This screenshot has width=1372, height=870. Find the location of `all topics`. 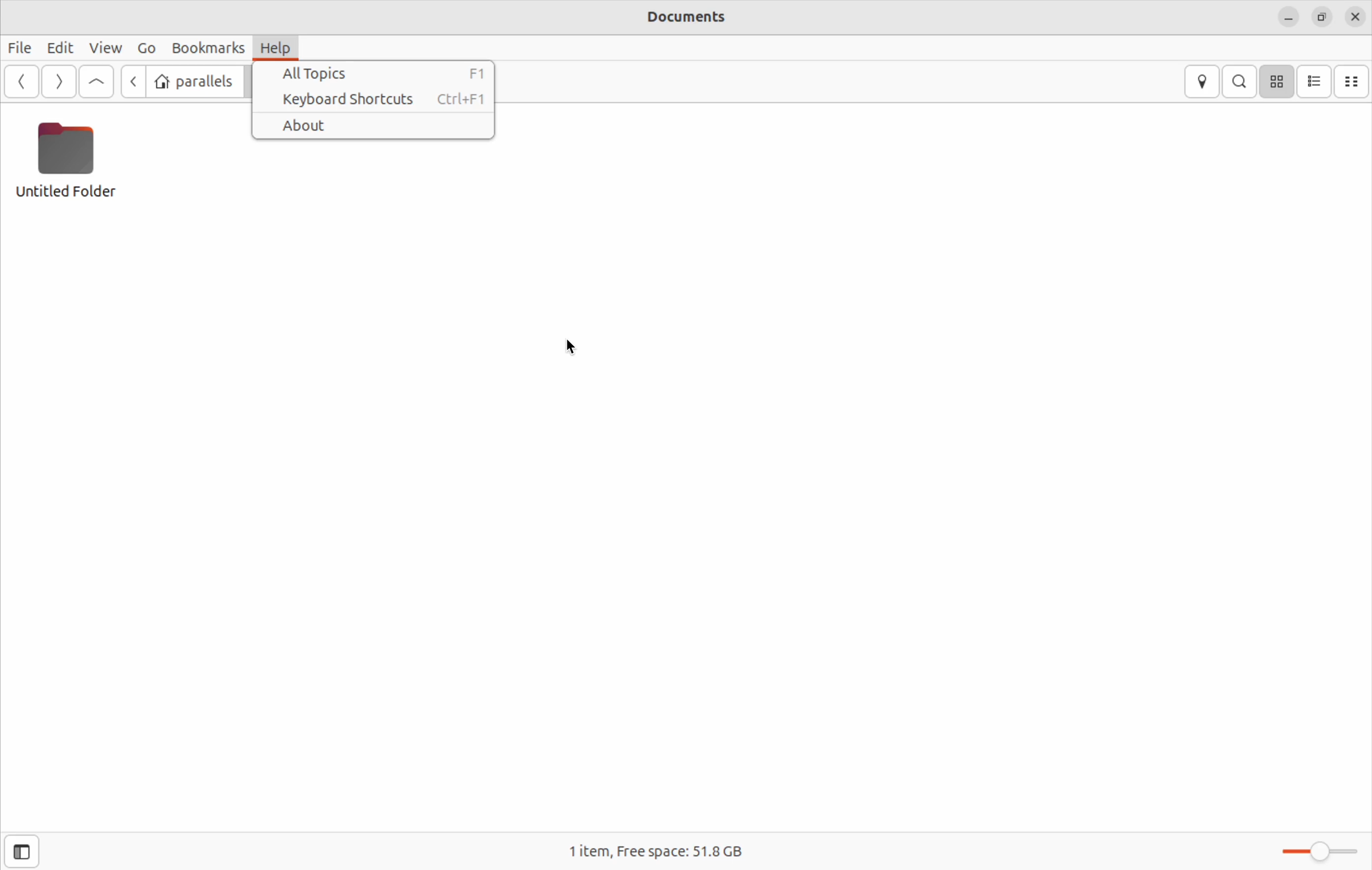

all topics is located at coordinates (378, 75).